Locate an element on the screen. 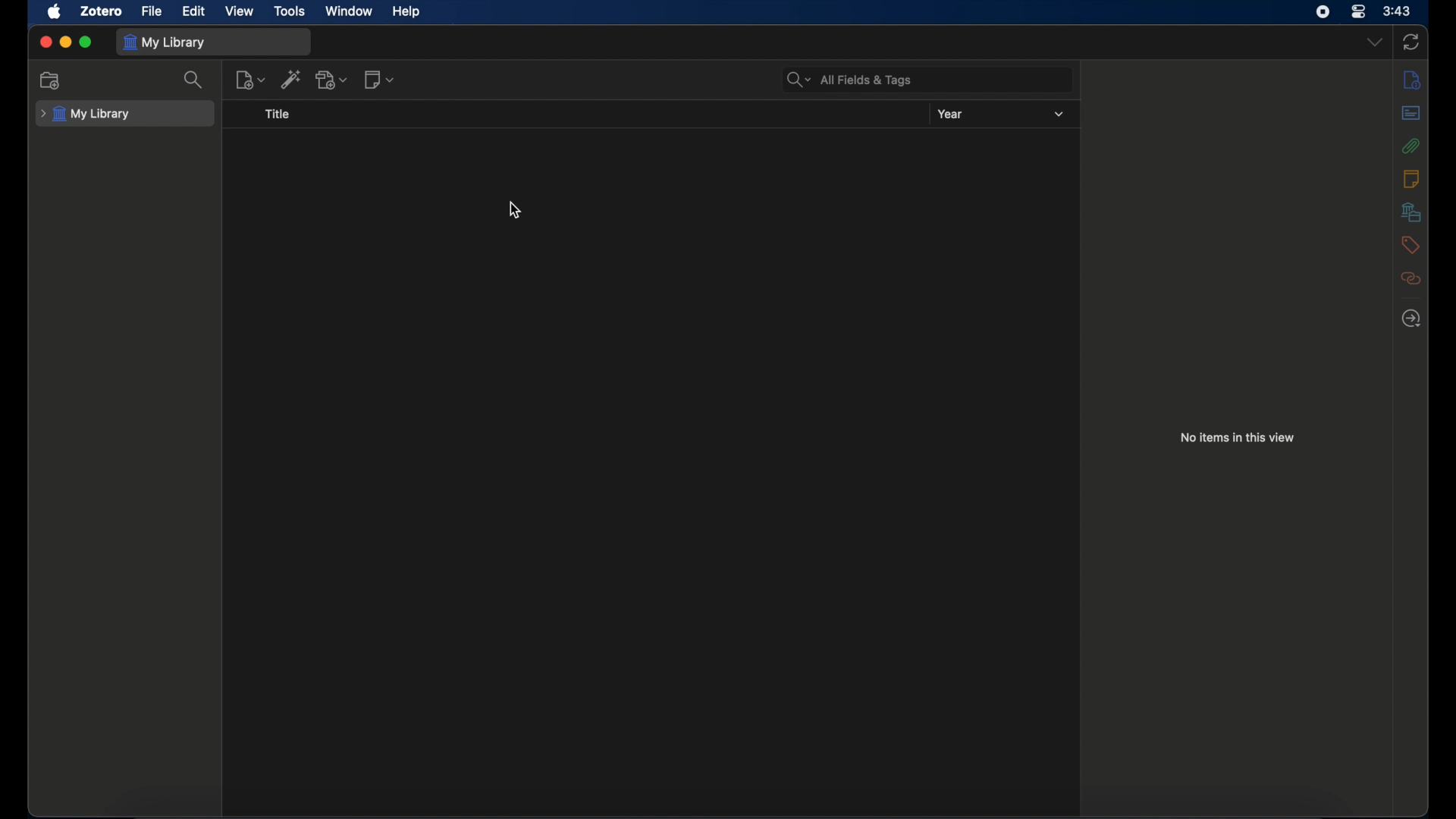 The width and height of the screenshot is (1456, 819). zotero is located at coordinates (102, 11).